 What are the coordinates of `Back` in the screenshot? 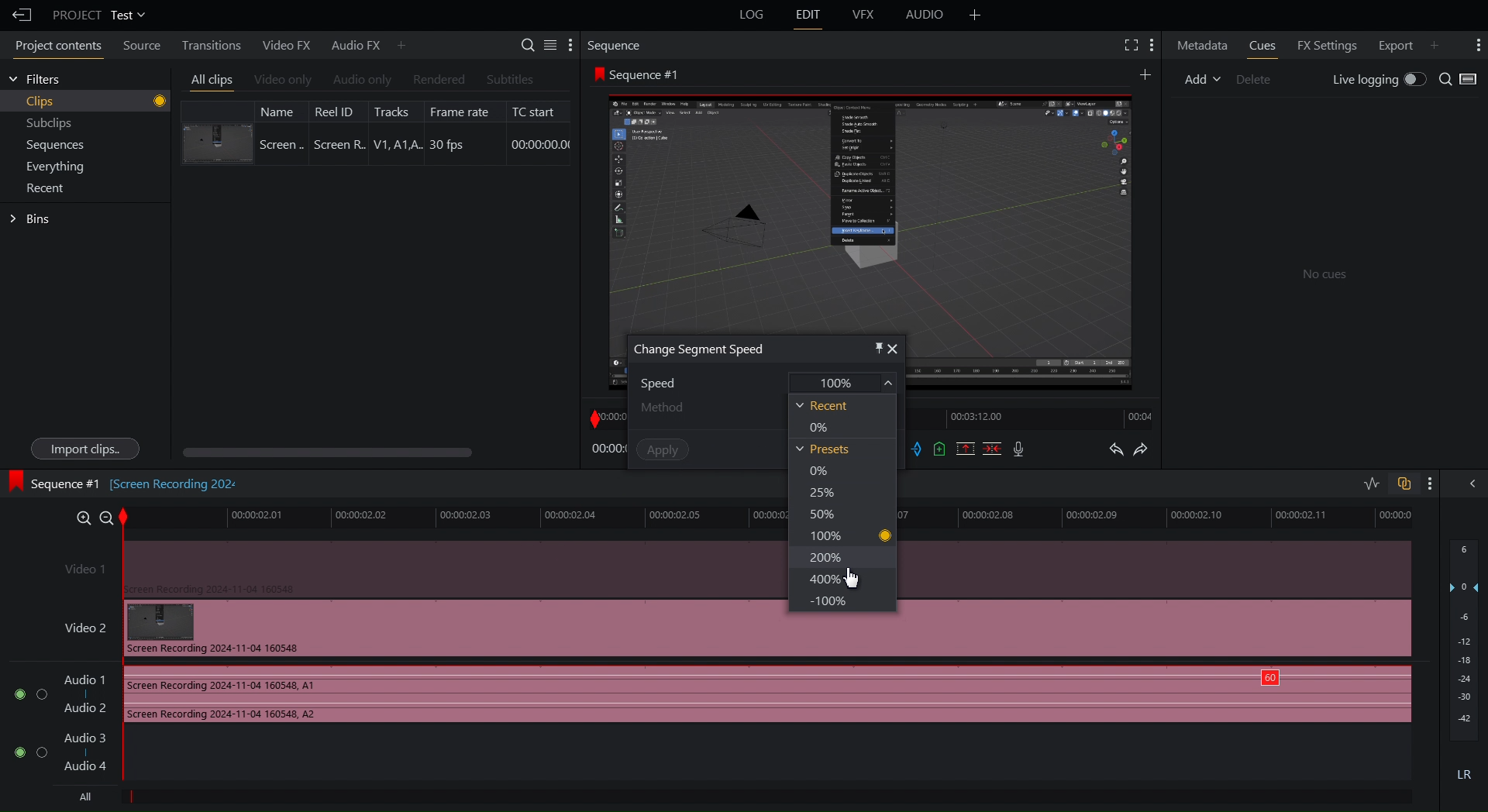 It's located at (18, 15).